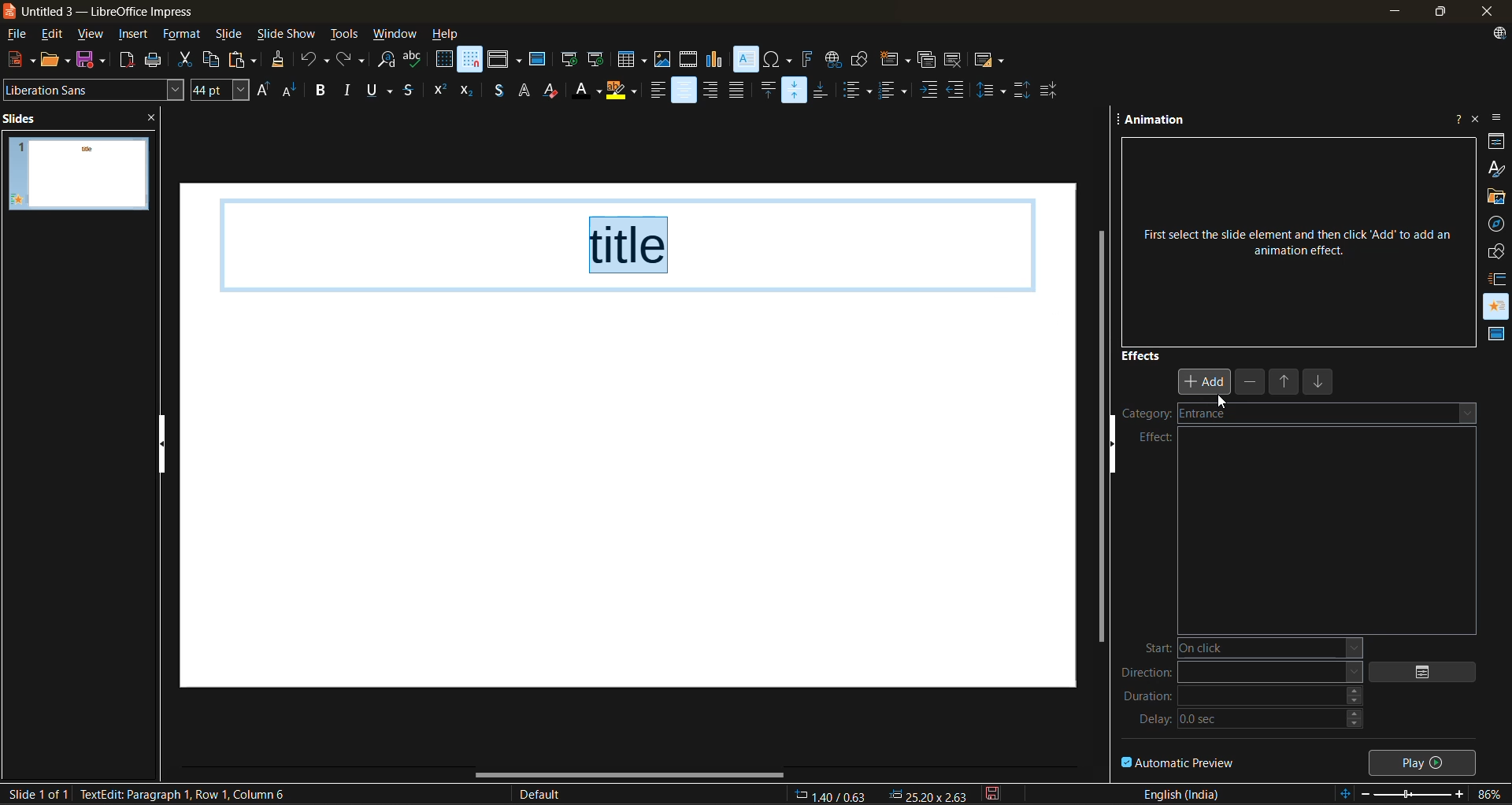 Image resolution: width=1512 pixels, height=805 pixels. Describe the element at coordinates (263, 91) in the screenshot. I see `increase font size` at that location.